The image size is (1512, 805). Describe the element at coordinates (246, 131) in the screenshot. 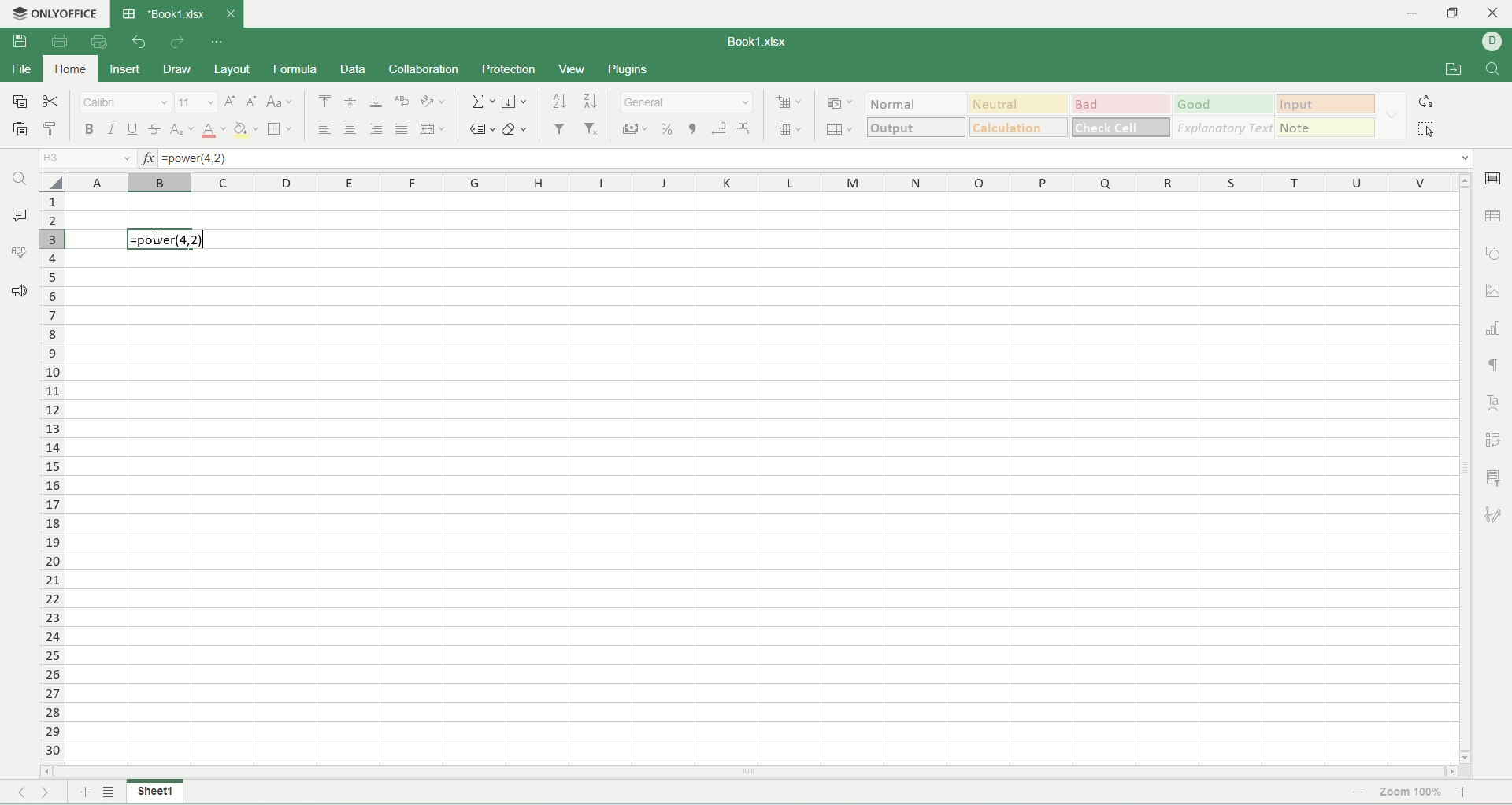

I see `fill color` at that location.